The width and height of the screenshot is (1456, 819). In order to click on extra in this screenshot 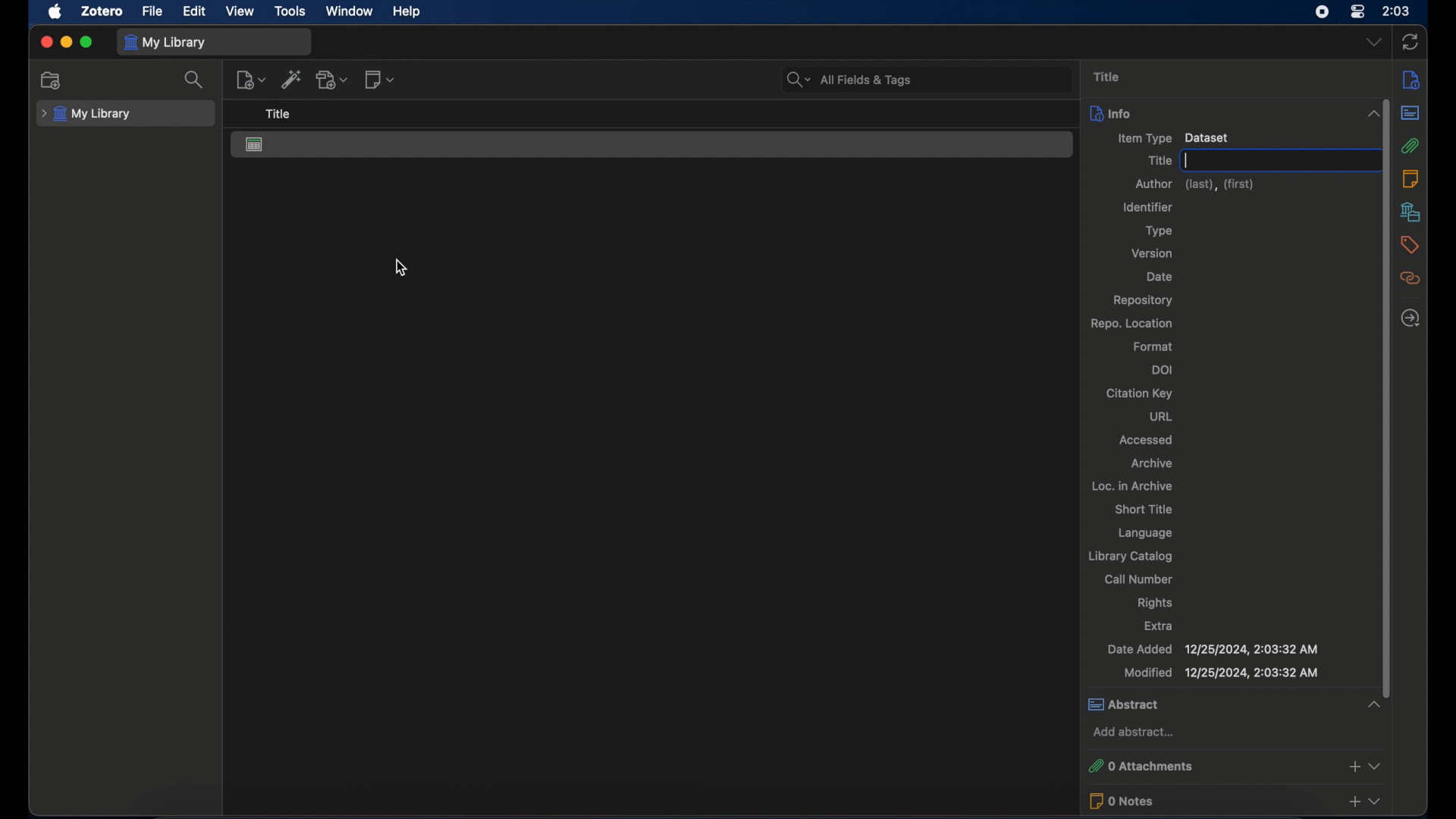, I will do `click(1159, 625)`.